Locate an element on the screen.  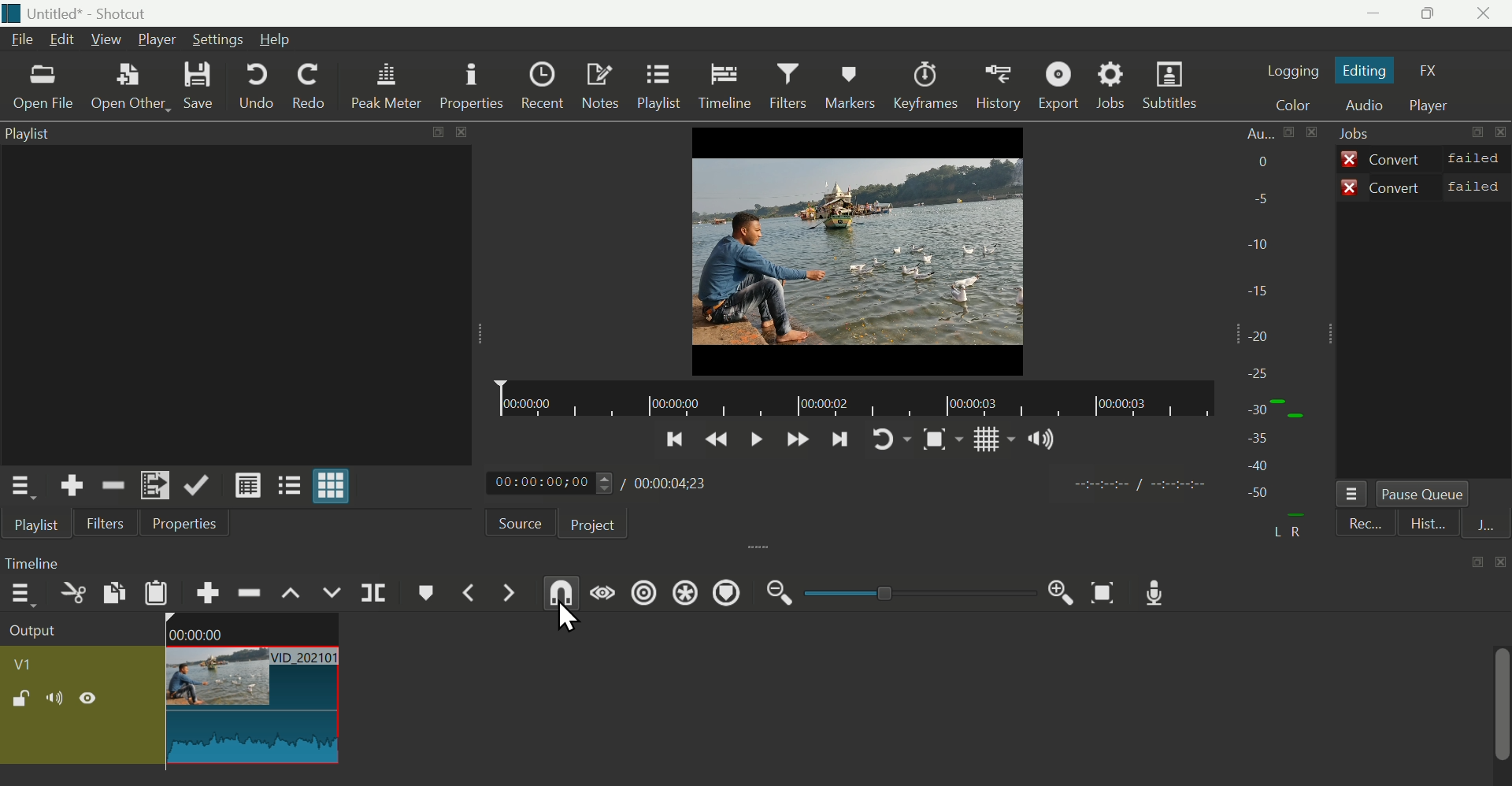
Audio is located at coordinates (1366, 106).